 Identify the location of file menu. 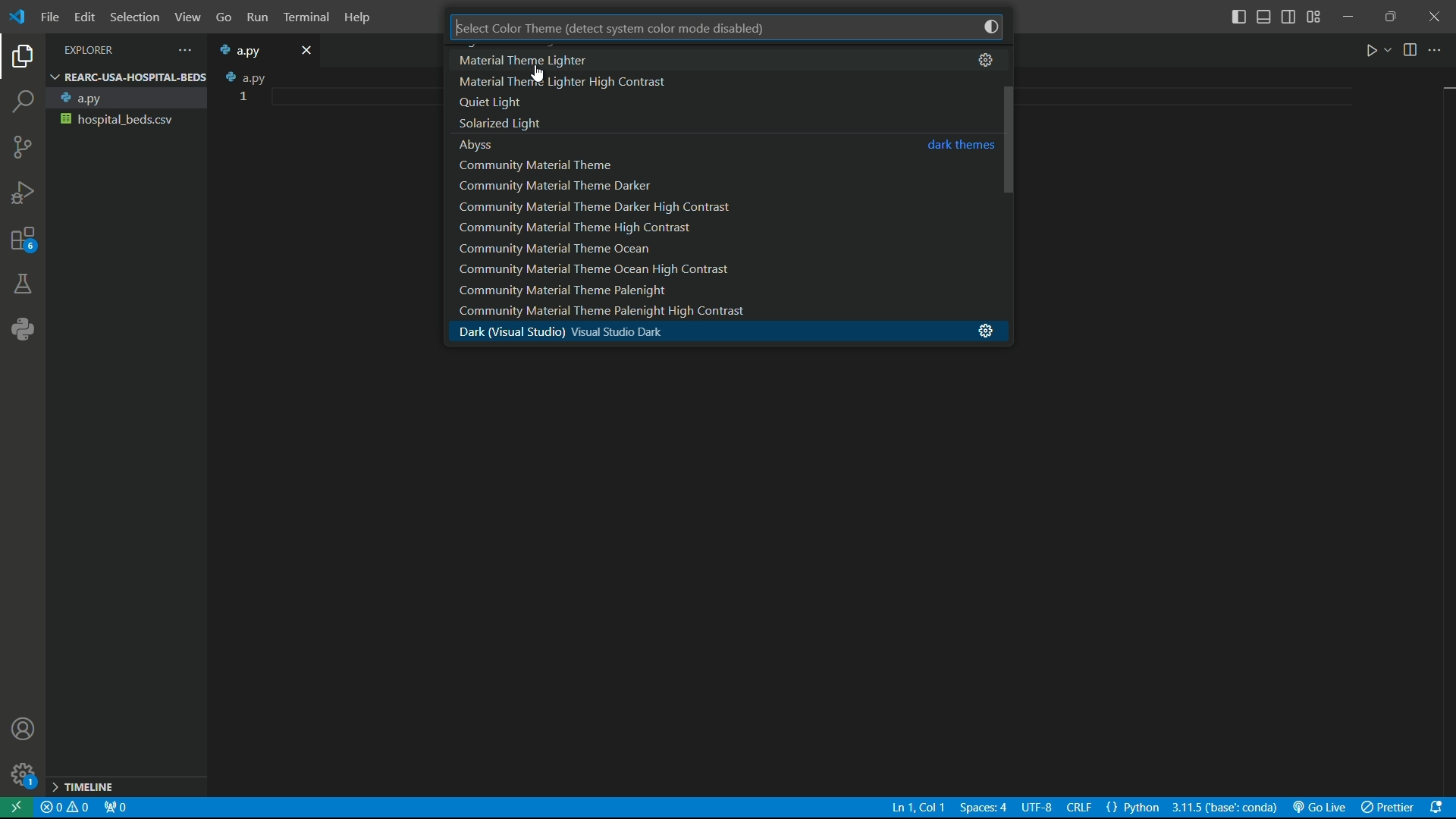
(50, 17).